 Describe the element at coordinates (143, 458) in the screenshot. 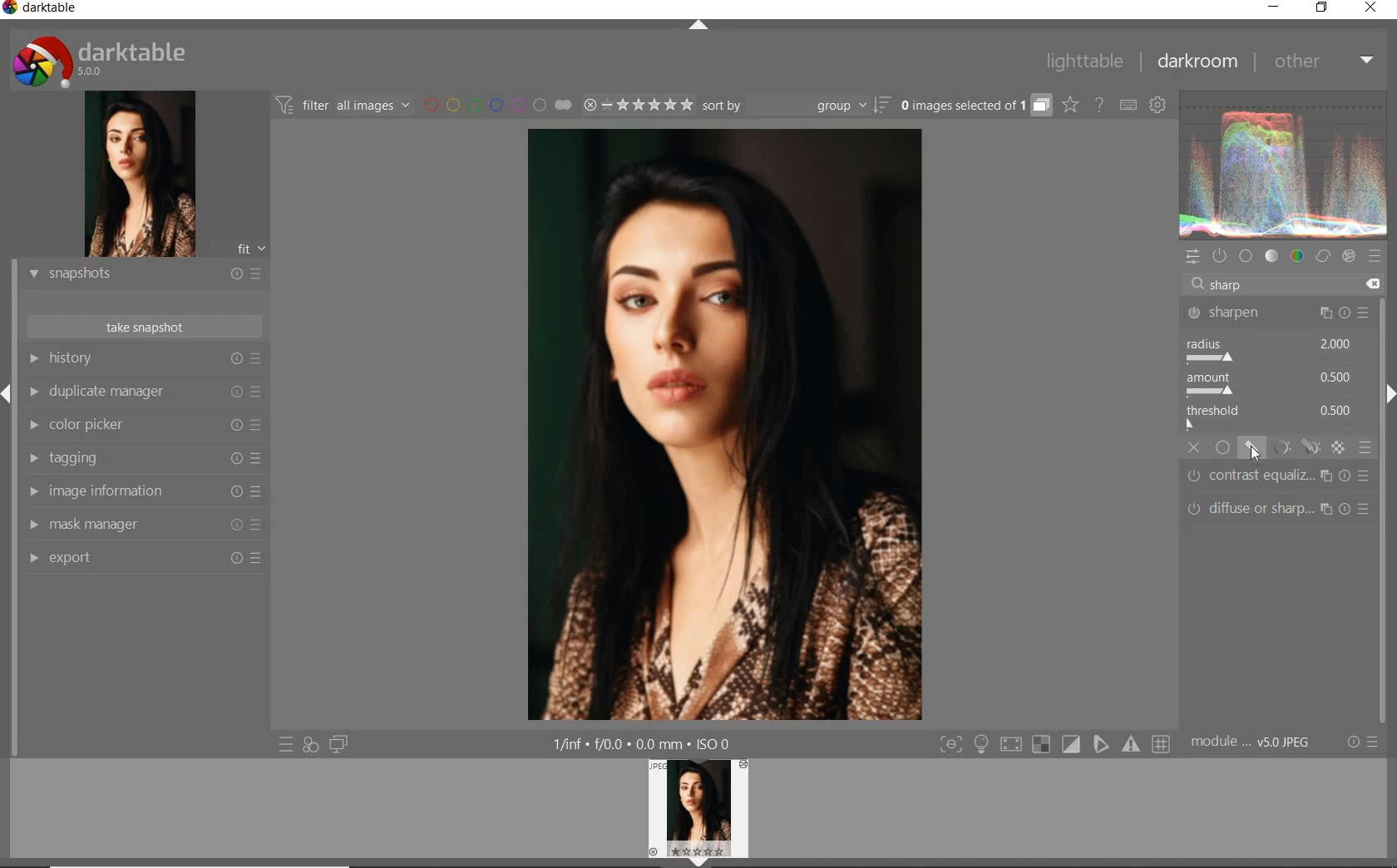

I see `tagging` at that location.